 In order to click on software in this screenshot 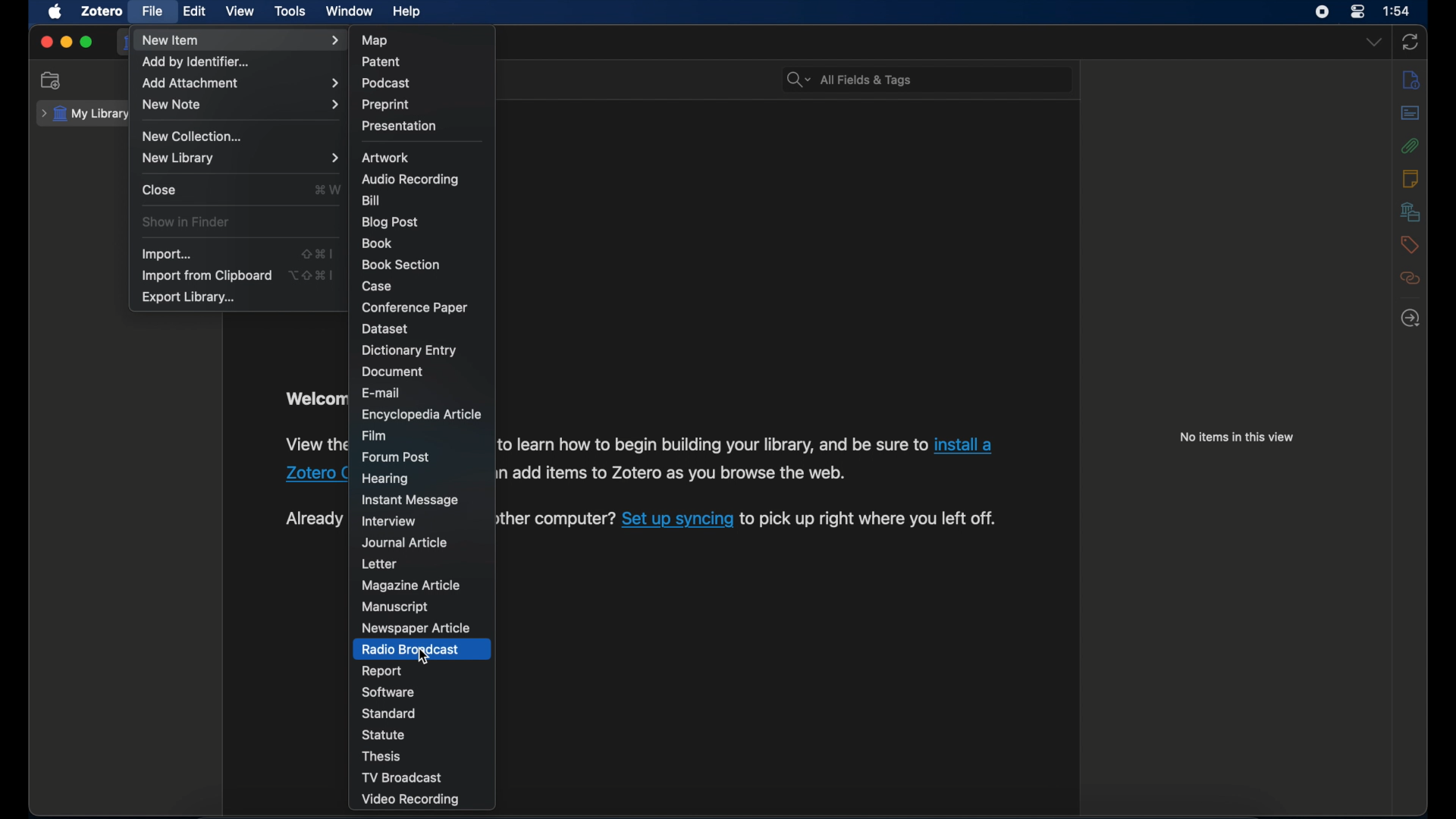, I will do `click(388, 692)`.